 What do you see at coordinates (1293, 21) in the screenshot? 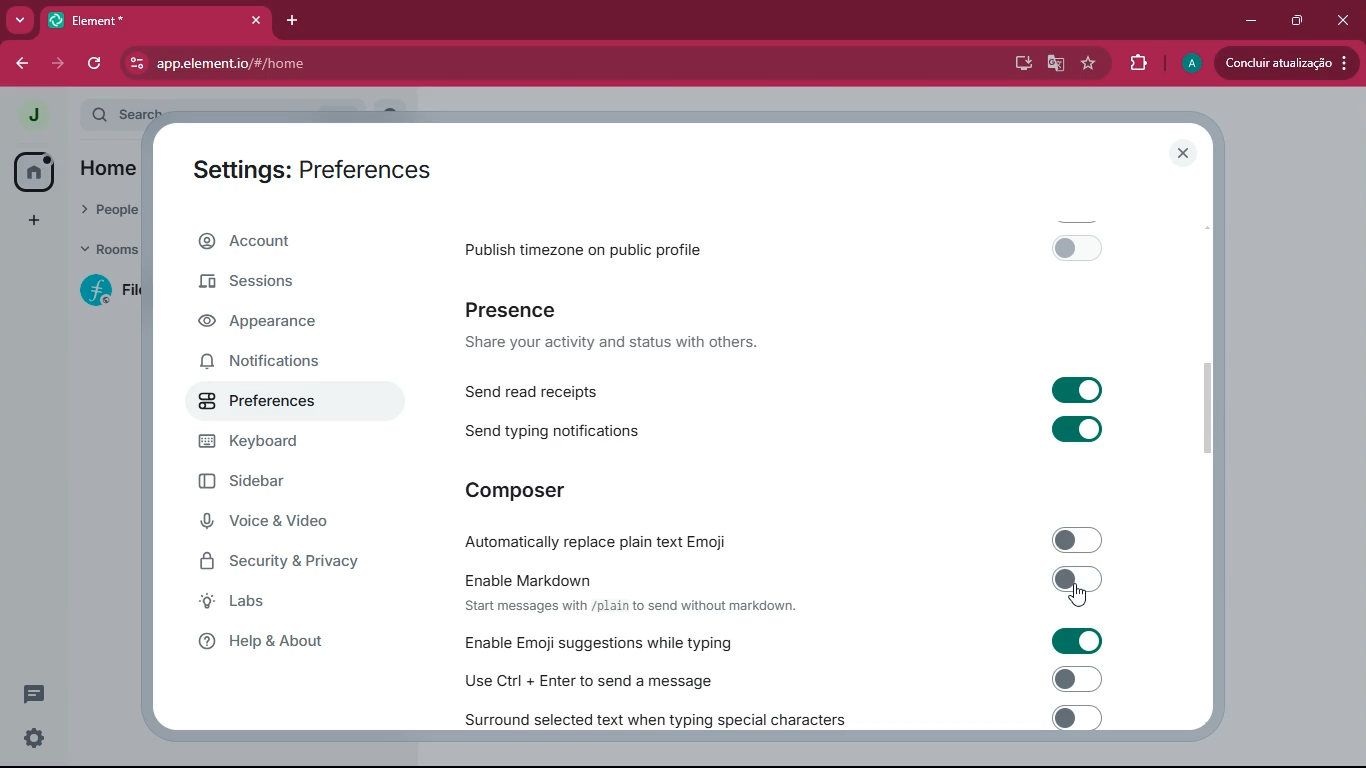
I see `maximize` at bounding box center [1293, 21].